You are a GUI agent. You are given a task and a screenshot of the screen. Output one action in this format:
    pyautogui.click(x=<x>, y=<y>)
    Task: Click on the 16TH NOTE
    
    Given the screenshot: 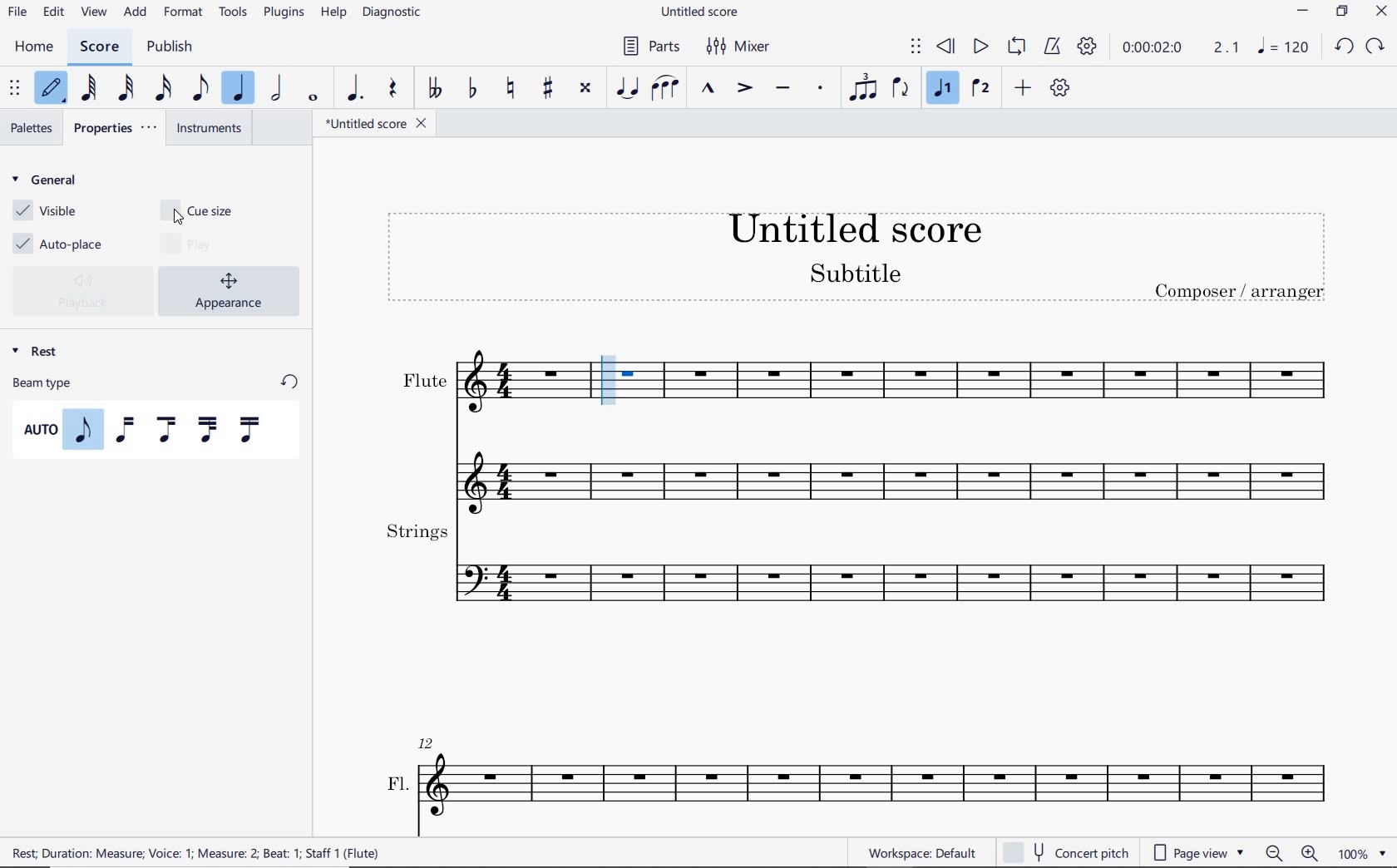 What is the action you would take?
    pyautogui.click(x=163, y=88)
    